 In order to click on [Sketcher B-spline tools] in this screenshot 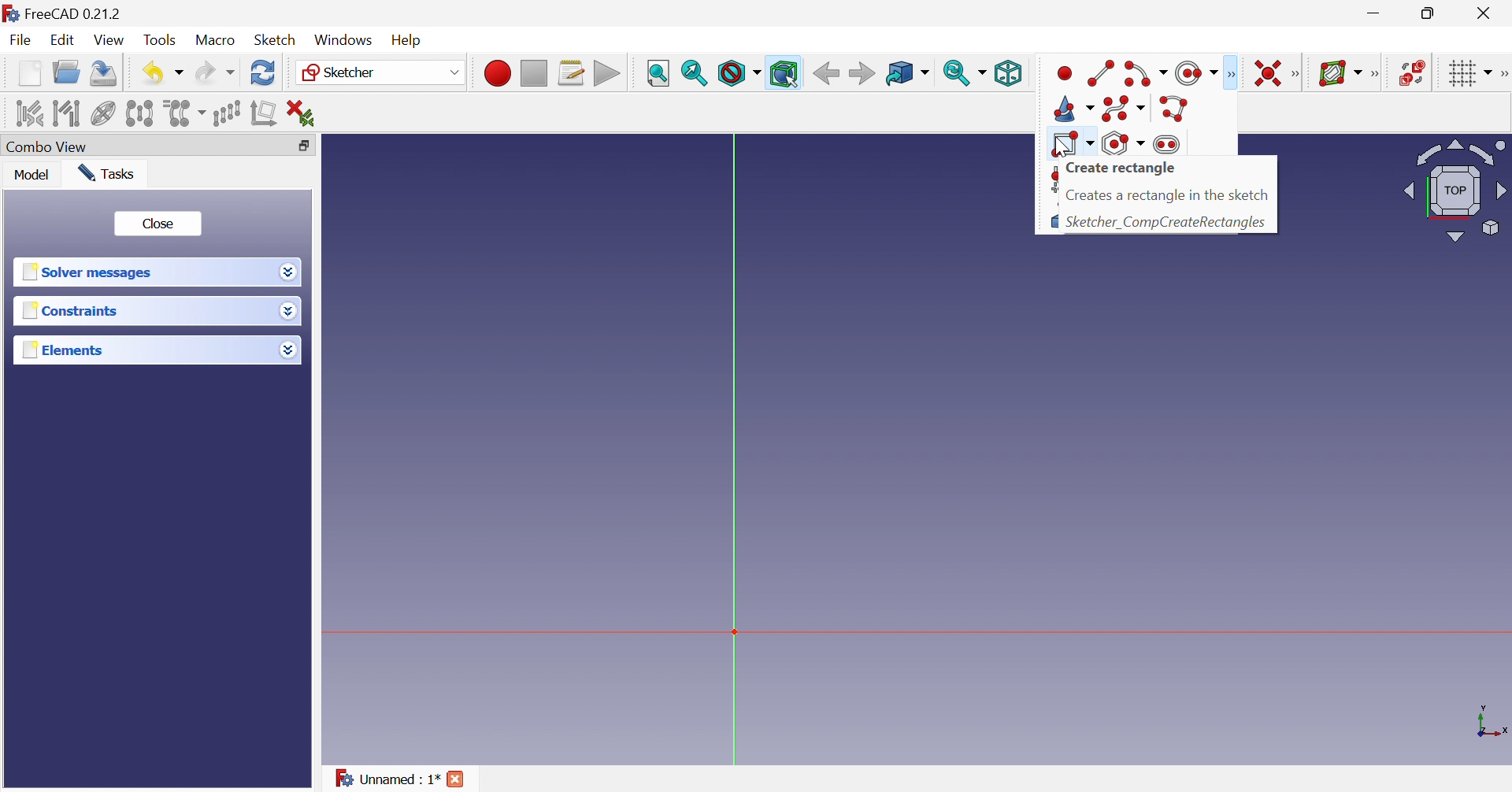, I will do `click(1377, 76)`.